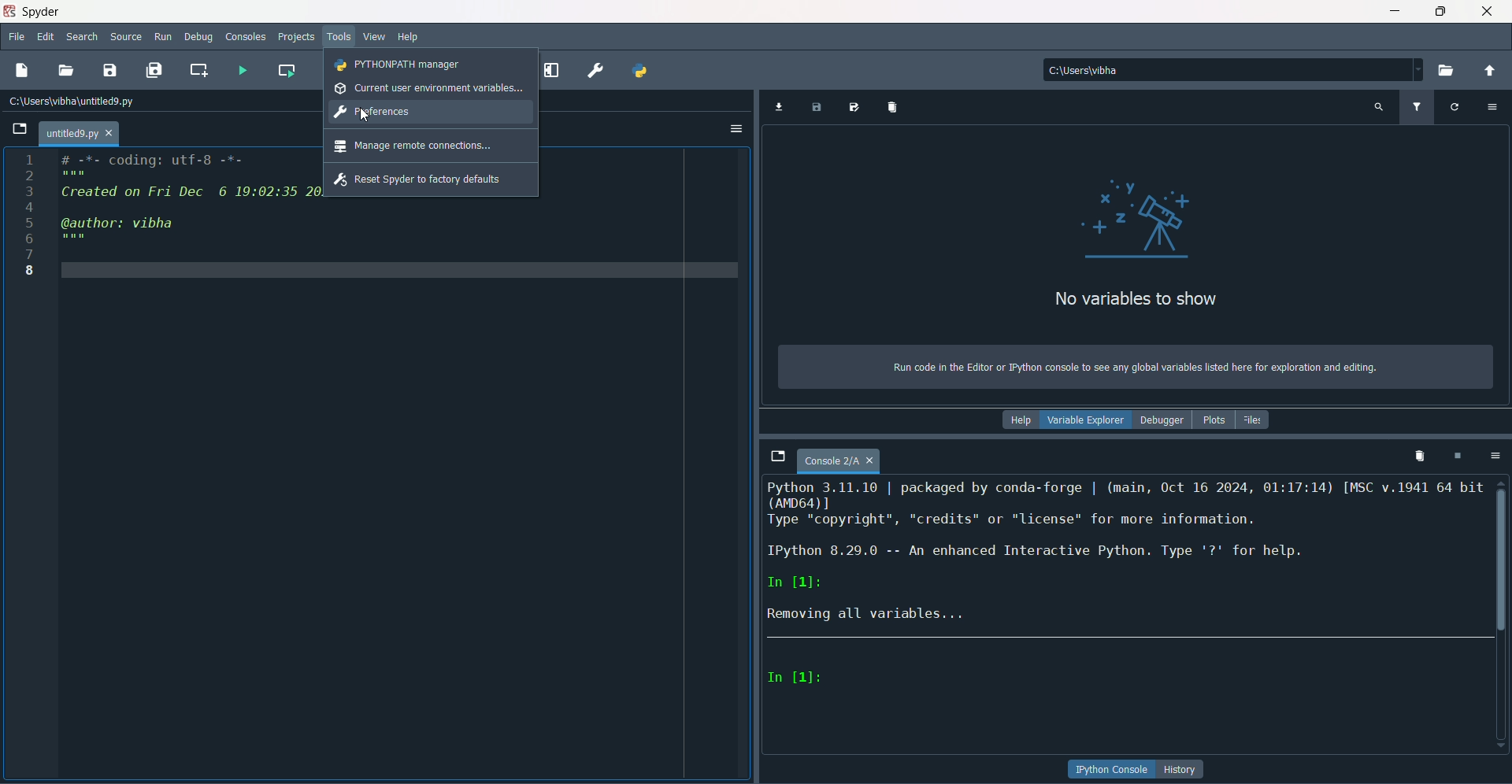 The height and width of the screenshot is (784, 1512). Describe the element at coordinates (1379, 106) in the screenshot. I see `search variable` at that location.